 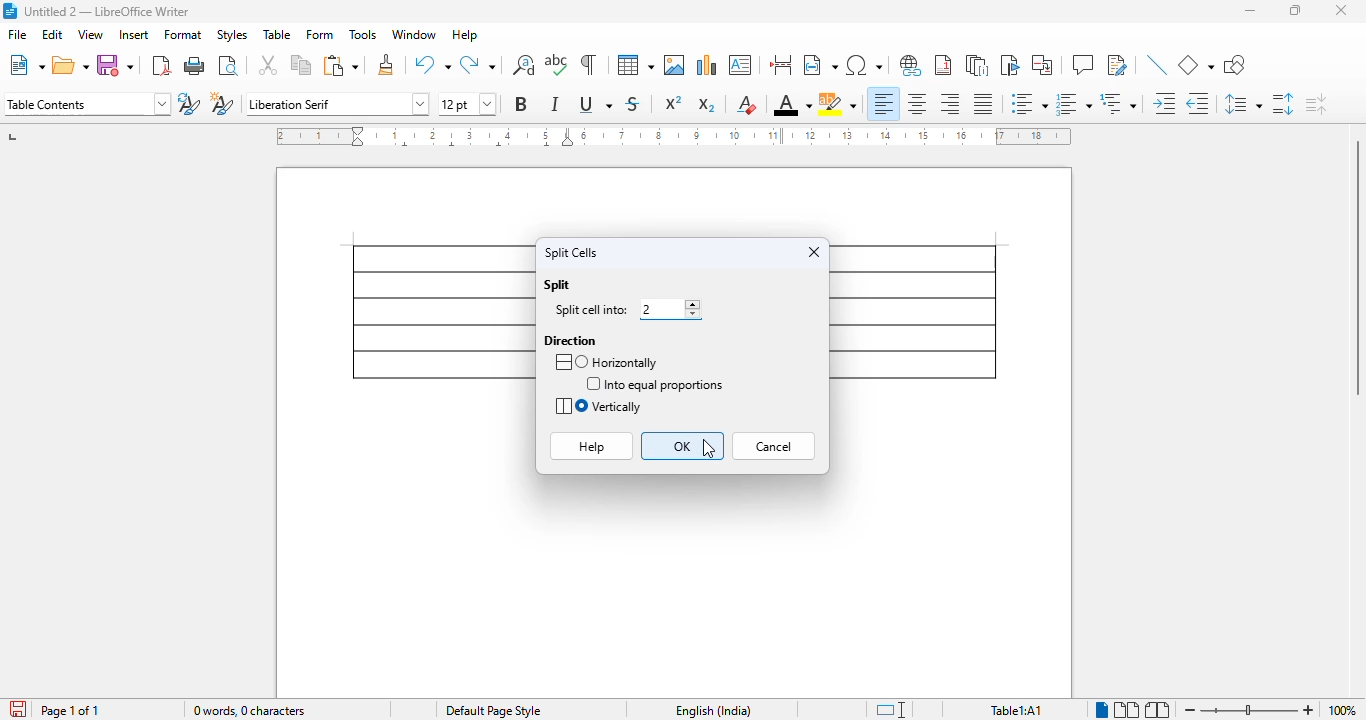 What do you see at coordinates (591, 447) in the screenshot?
I see `help` at bounding box center [591, 447].